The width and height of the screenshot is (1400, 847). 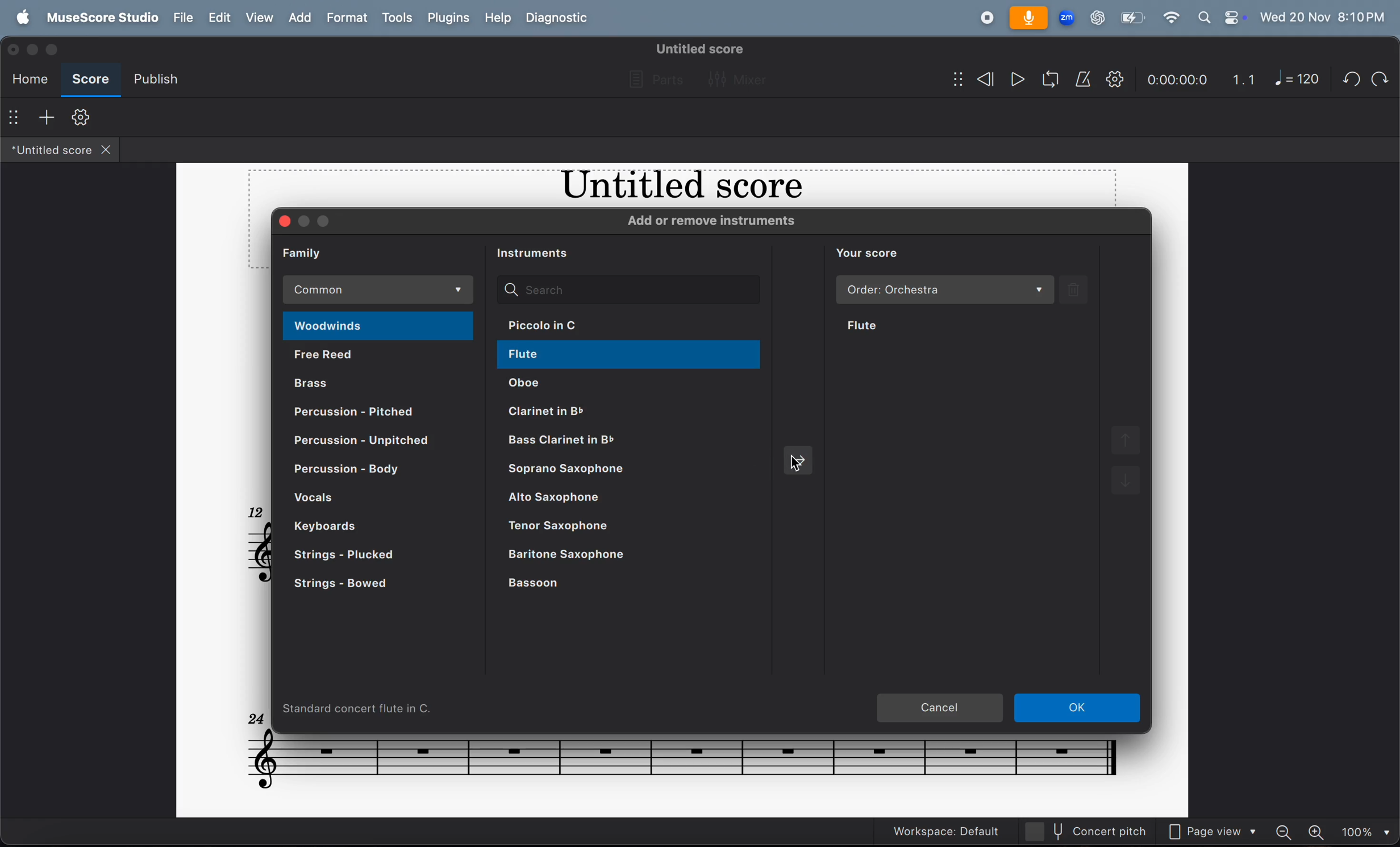 What do you see at coordinates (1087, 829) in the screenshot?
I see `current pitch` at bounding box center [1087, 829].